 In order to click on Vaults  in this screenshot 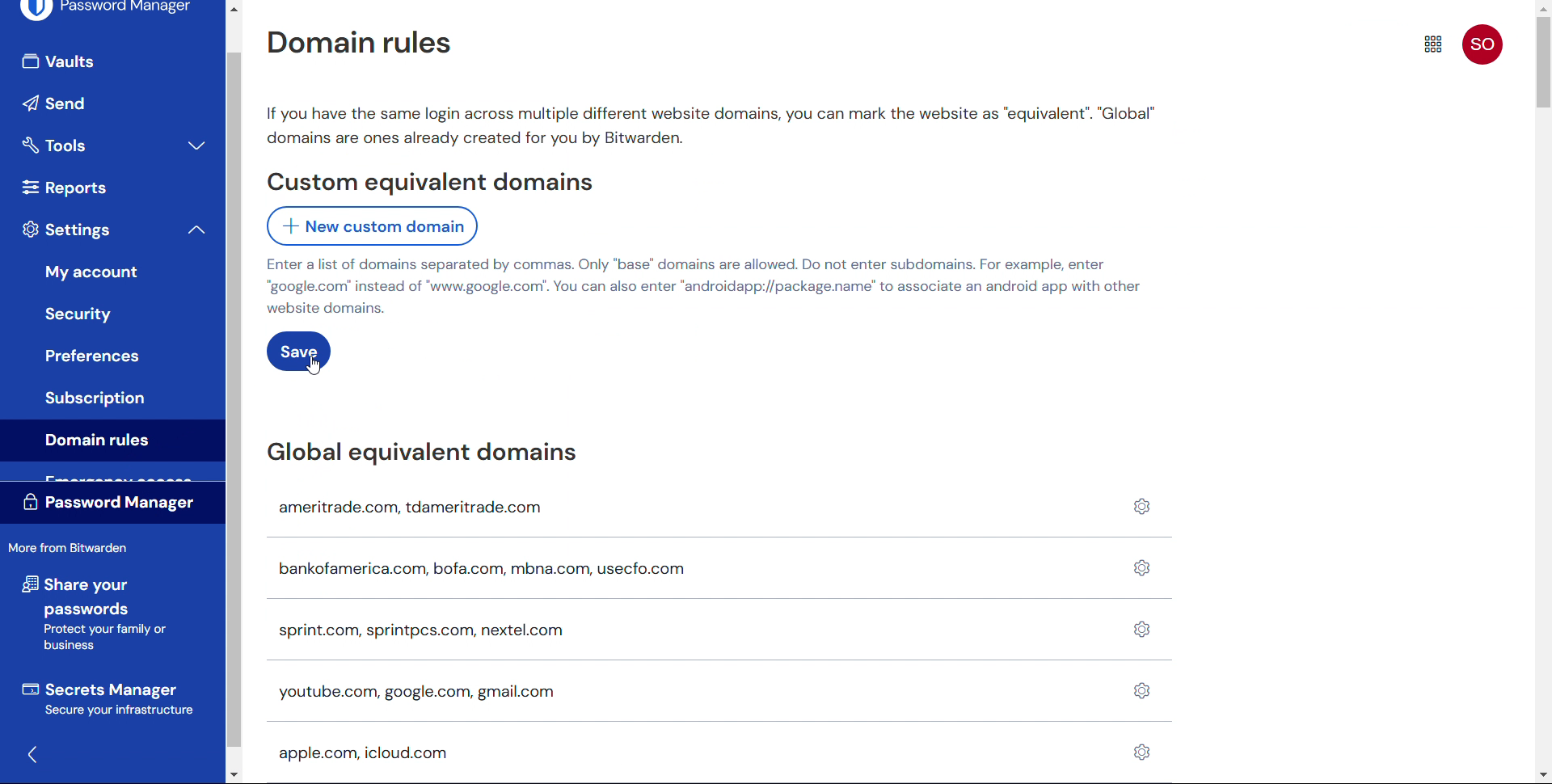, I will do `click(108, 62)`.